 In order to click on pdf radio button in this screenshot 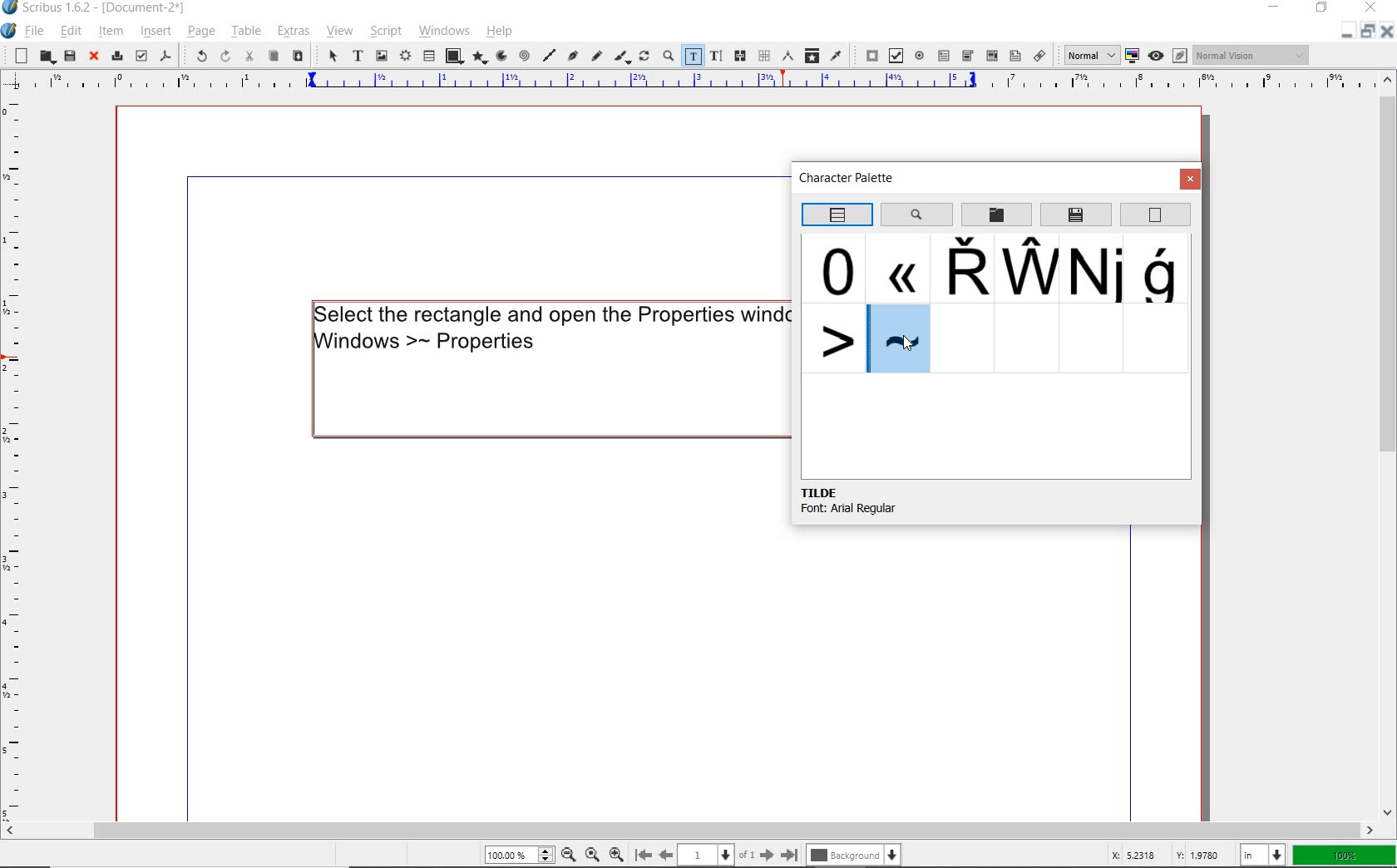, I will do `click(919, 55)`.